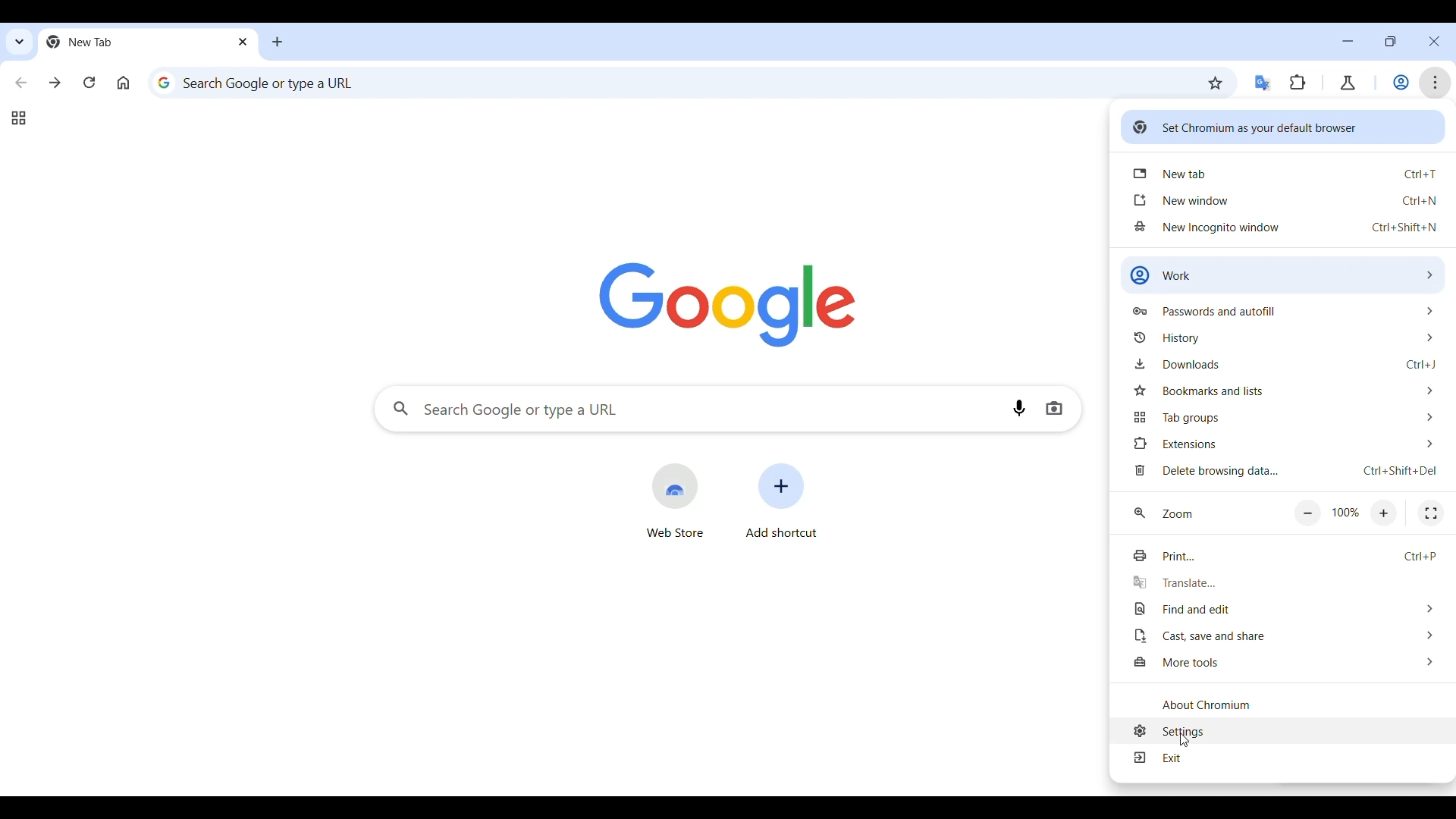 The image size is (1456, 819). What do you see at coordinates (688, 409) in the screenshot?
I see `Search Google or type a url` at bounding box center [688, 409].